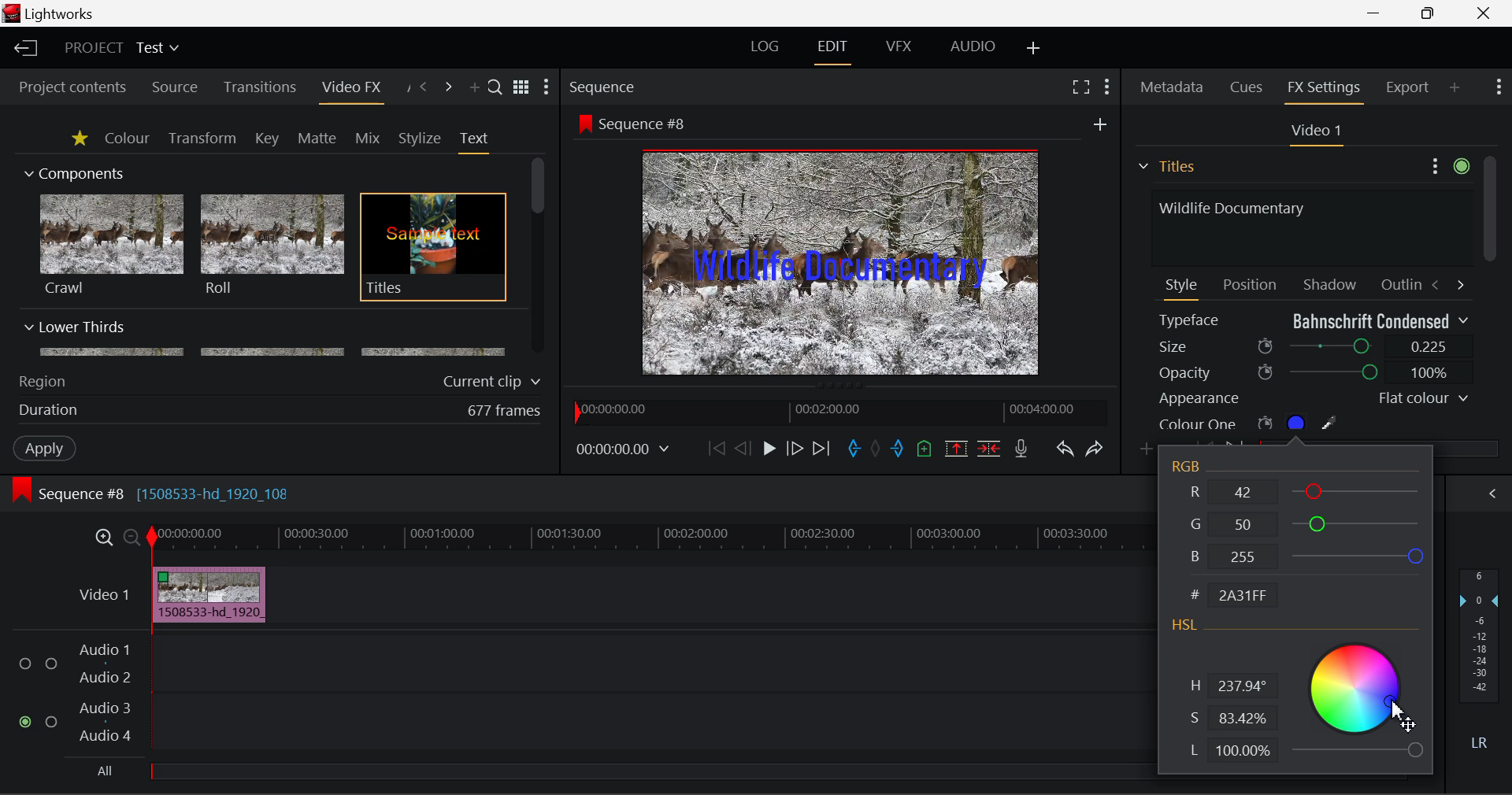 The width and height of the screenshot is (1512, 795). I want to click on AUDIO Layout, so click(972, 48).